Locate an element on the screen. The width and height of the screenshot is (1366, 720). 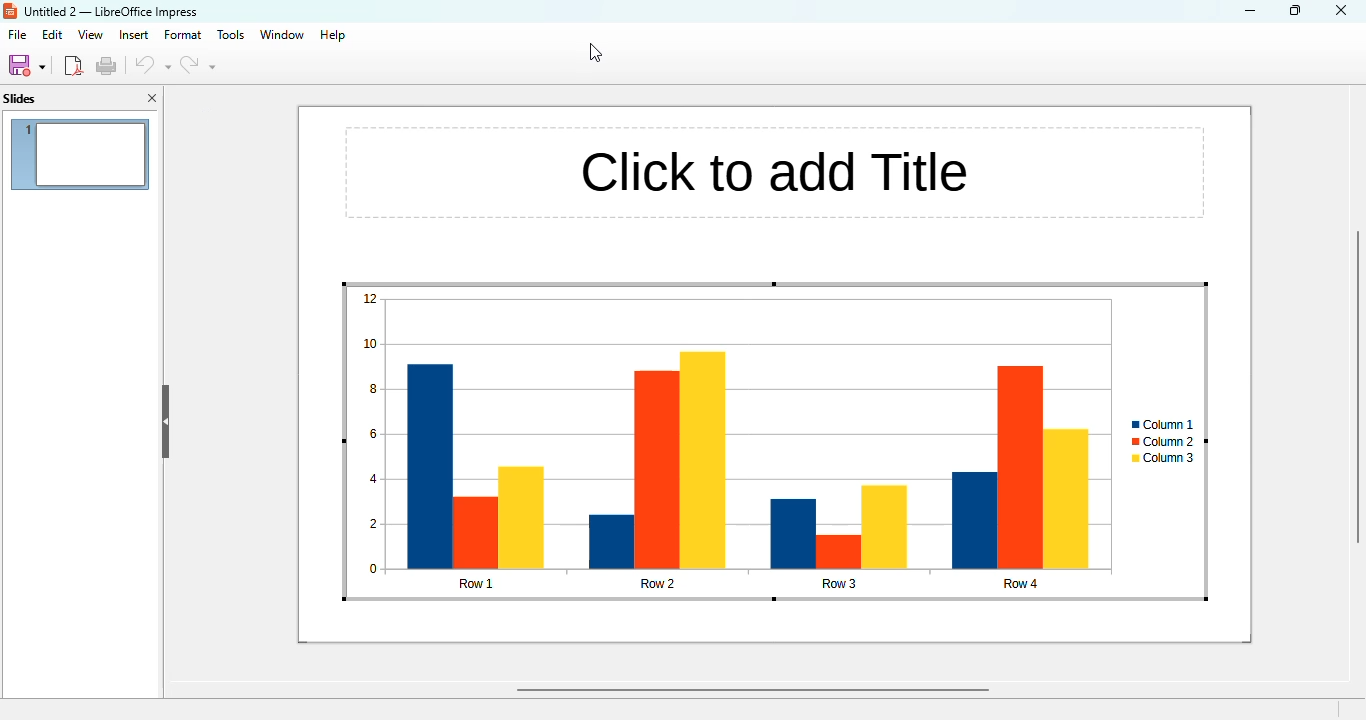
slides is located at coordinates (23, 100).